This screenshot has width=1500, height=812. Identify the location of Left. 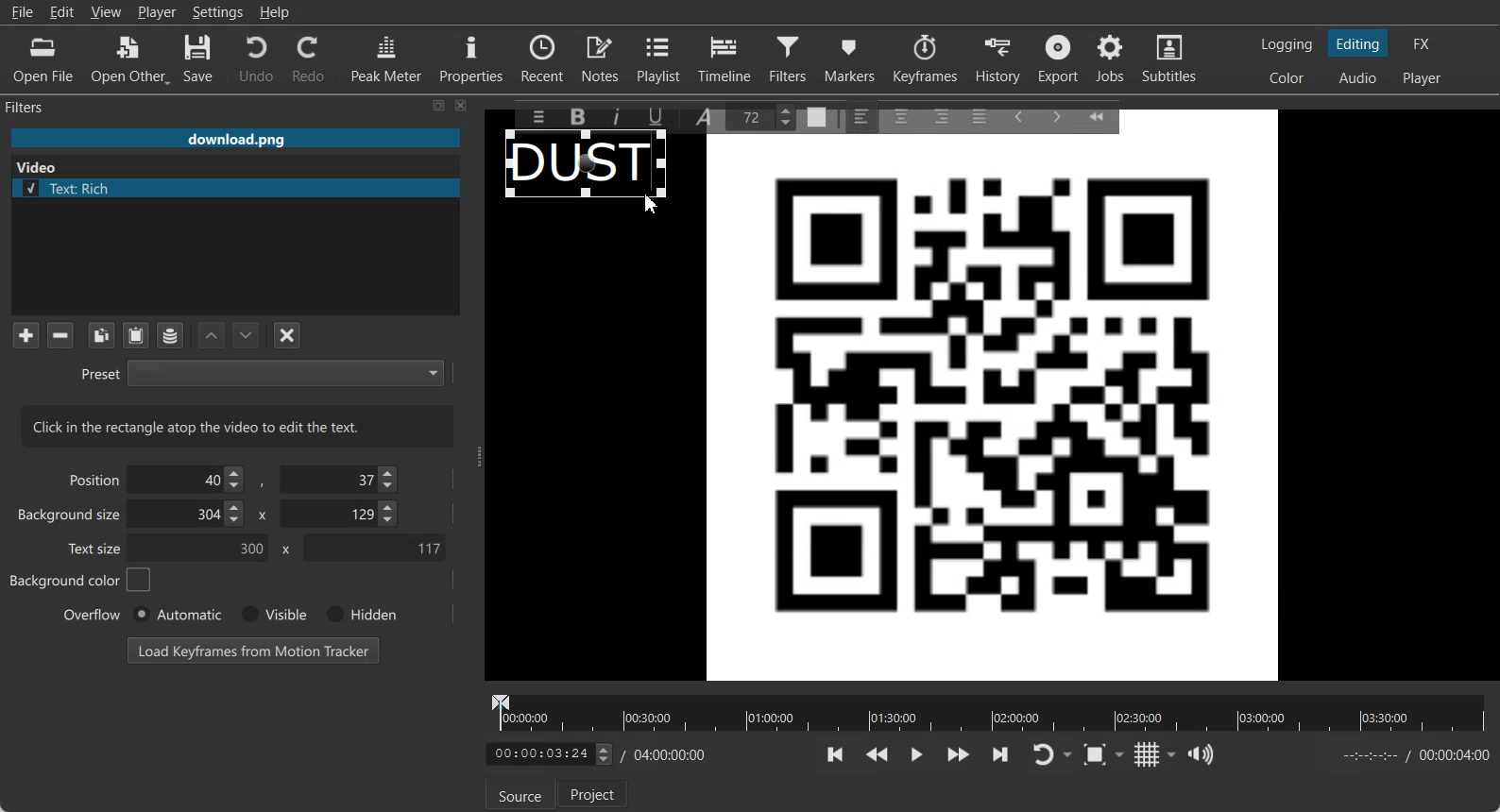
(862, 114).